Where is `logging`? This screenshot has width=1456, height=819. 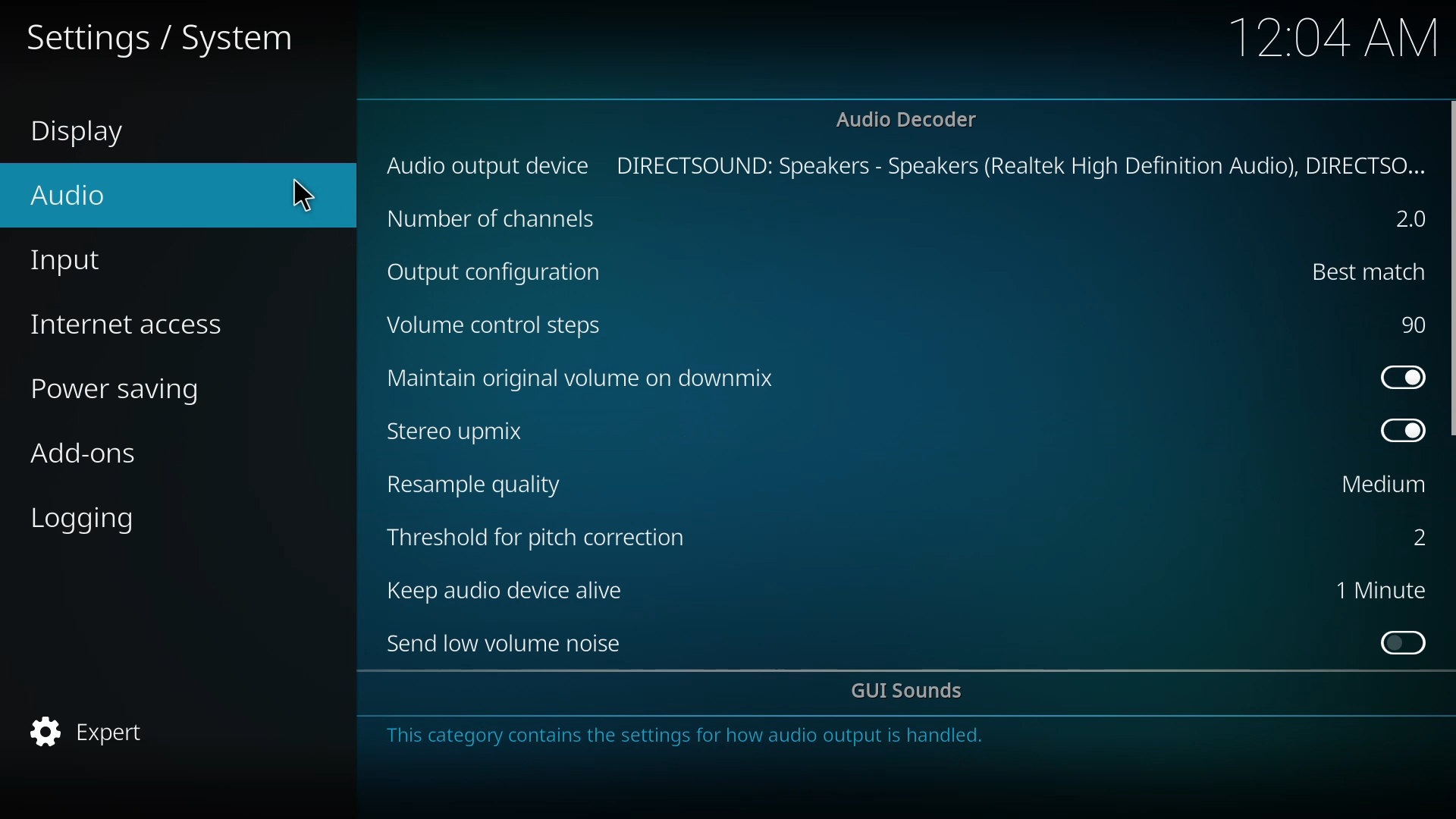
logging is located at coordinates (96, 519).